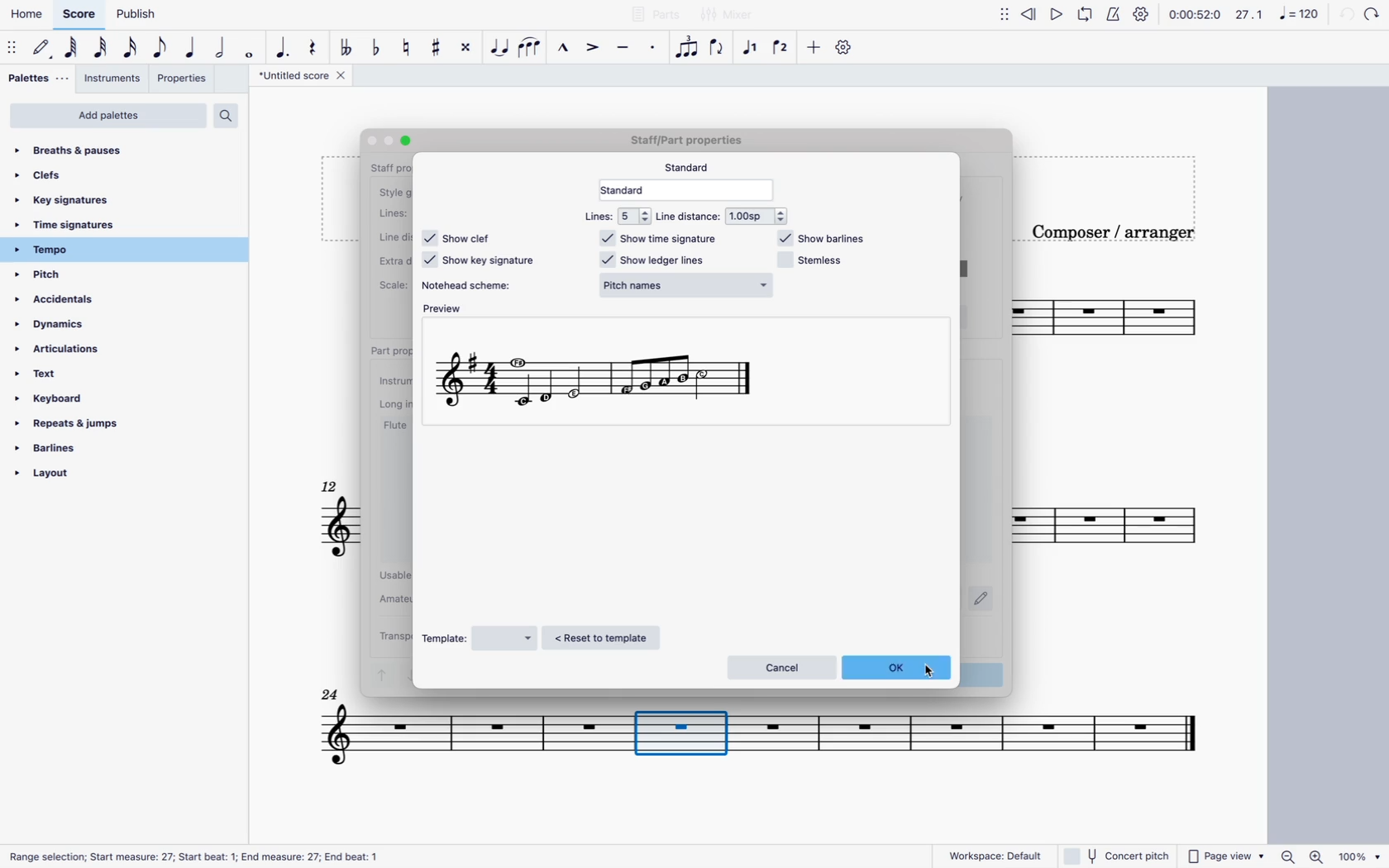  I want to click on search, so click(234, 117).